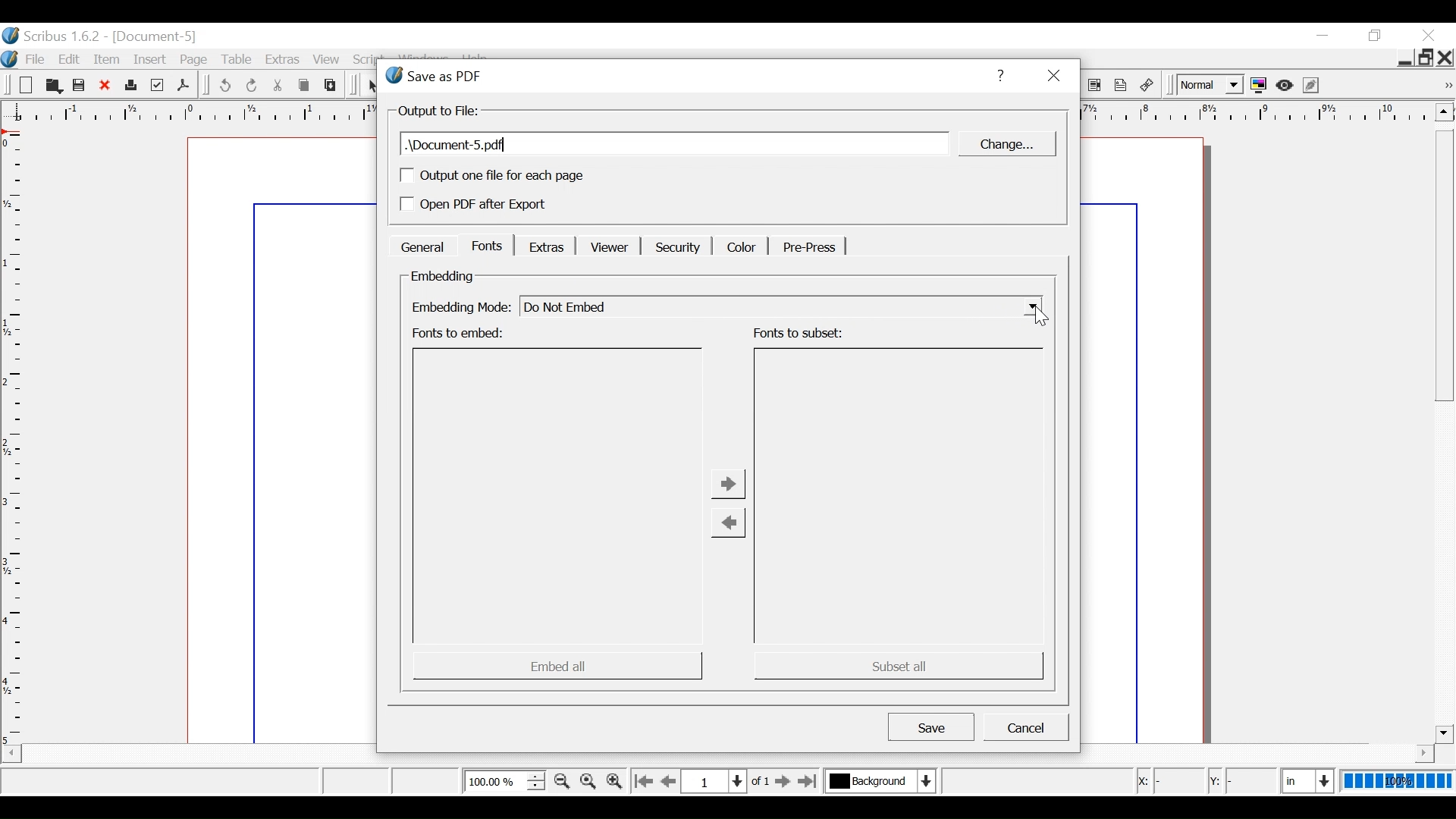 This screenshot has width=1456, height=819. What do you see at coordinates (784, 782) in the screenshot?
I see `Go to the next page` at bounding box center [784, 782].